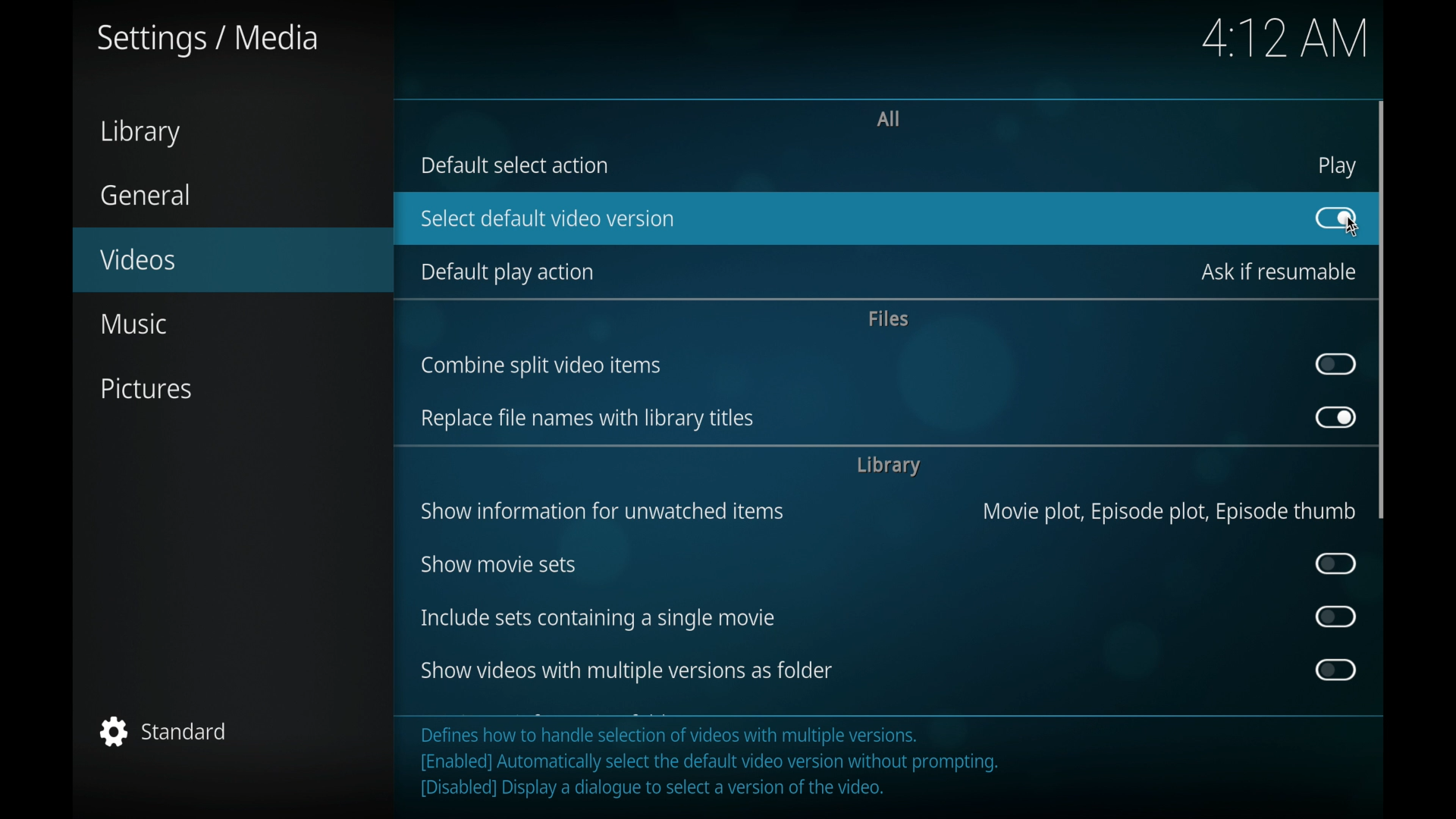 This screenshot has height=819, width=1456. I want to click on default select action, so click(516, 165).